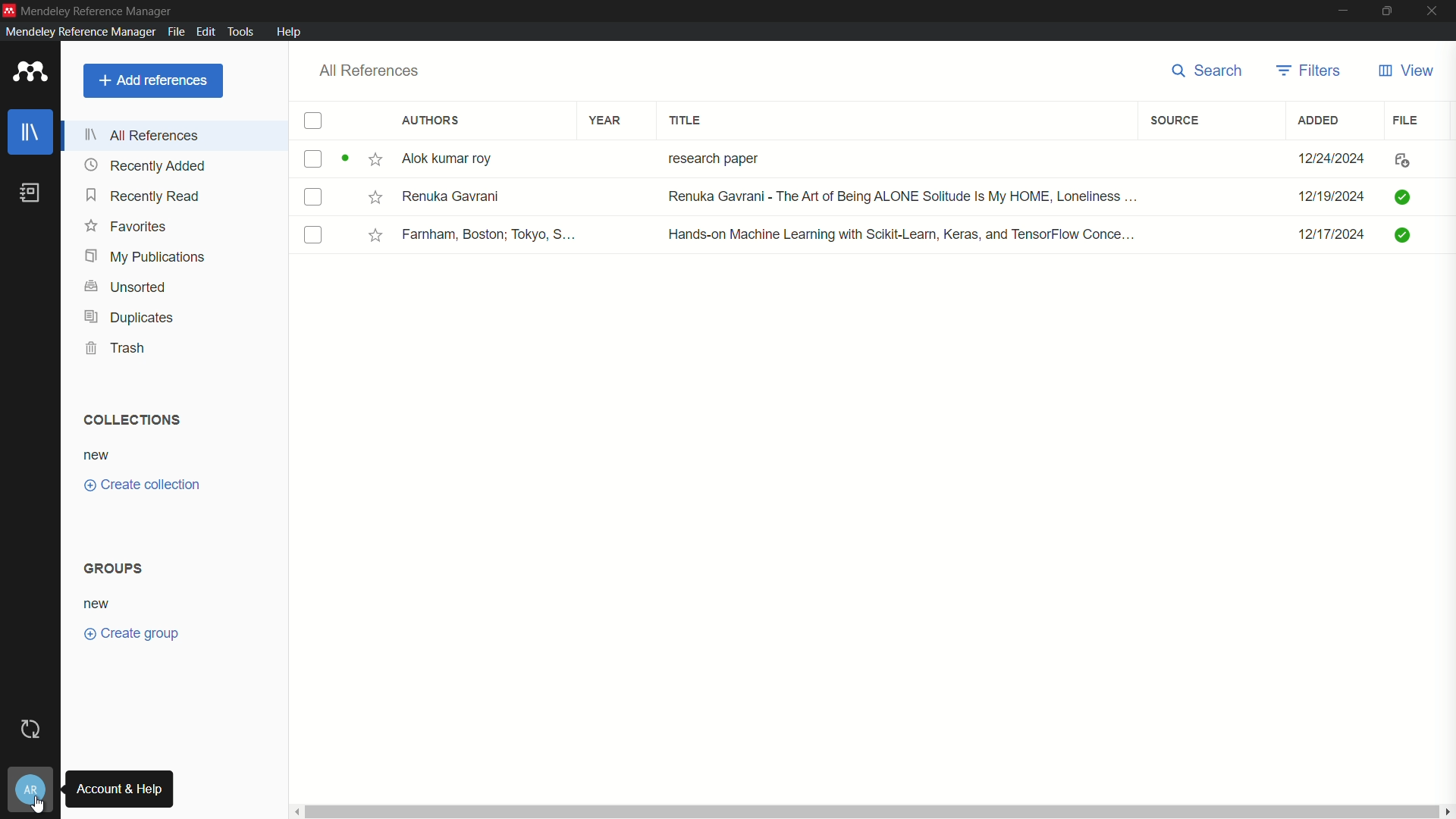 This screenshot has width=1456, height=819. What do you see at coordinates (1175, 121) in the screenshot?
I see `source` at bounding box center [1175, 121].